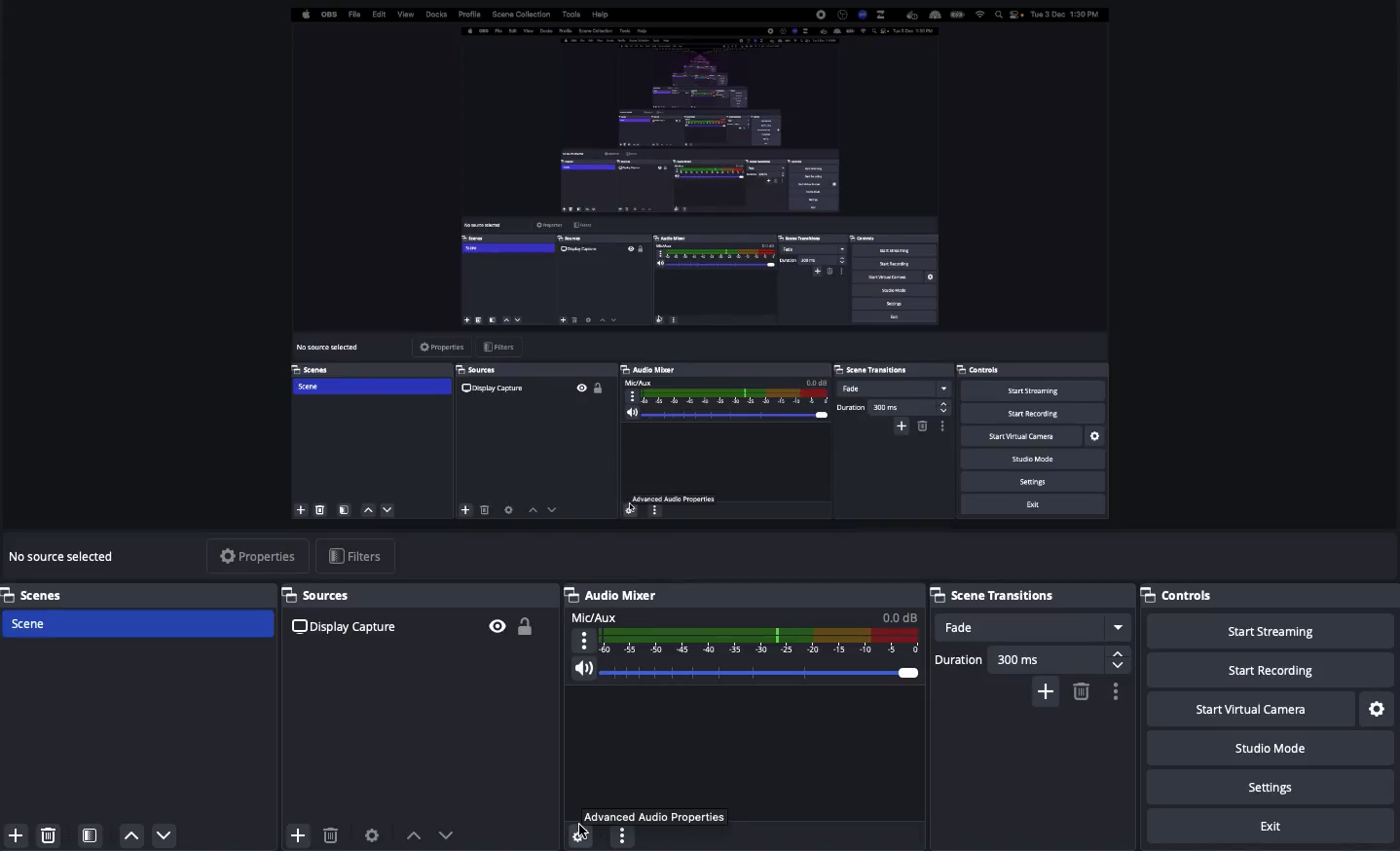  I want to click on Visible, so click(493, 625).